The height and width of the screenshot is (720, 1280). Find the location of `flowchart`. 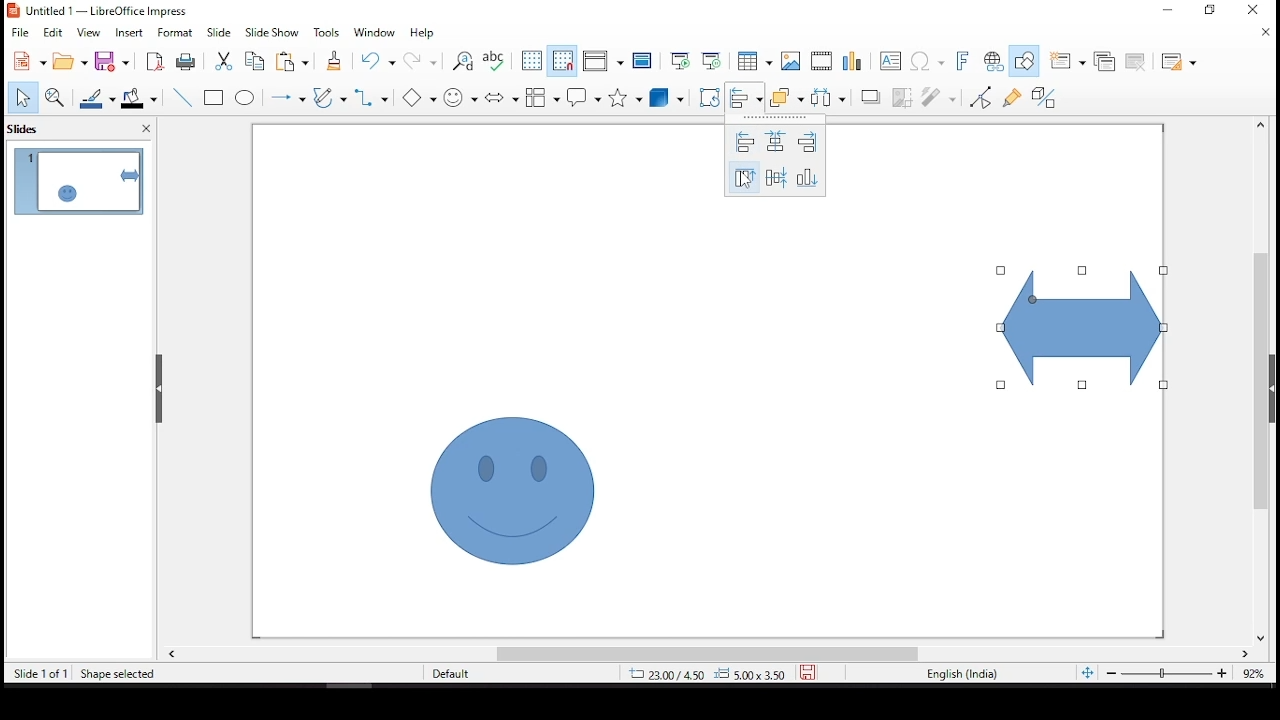

flowchart is located at coordinates (543, 97).